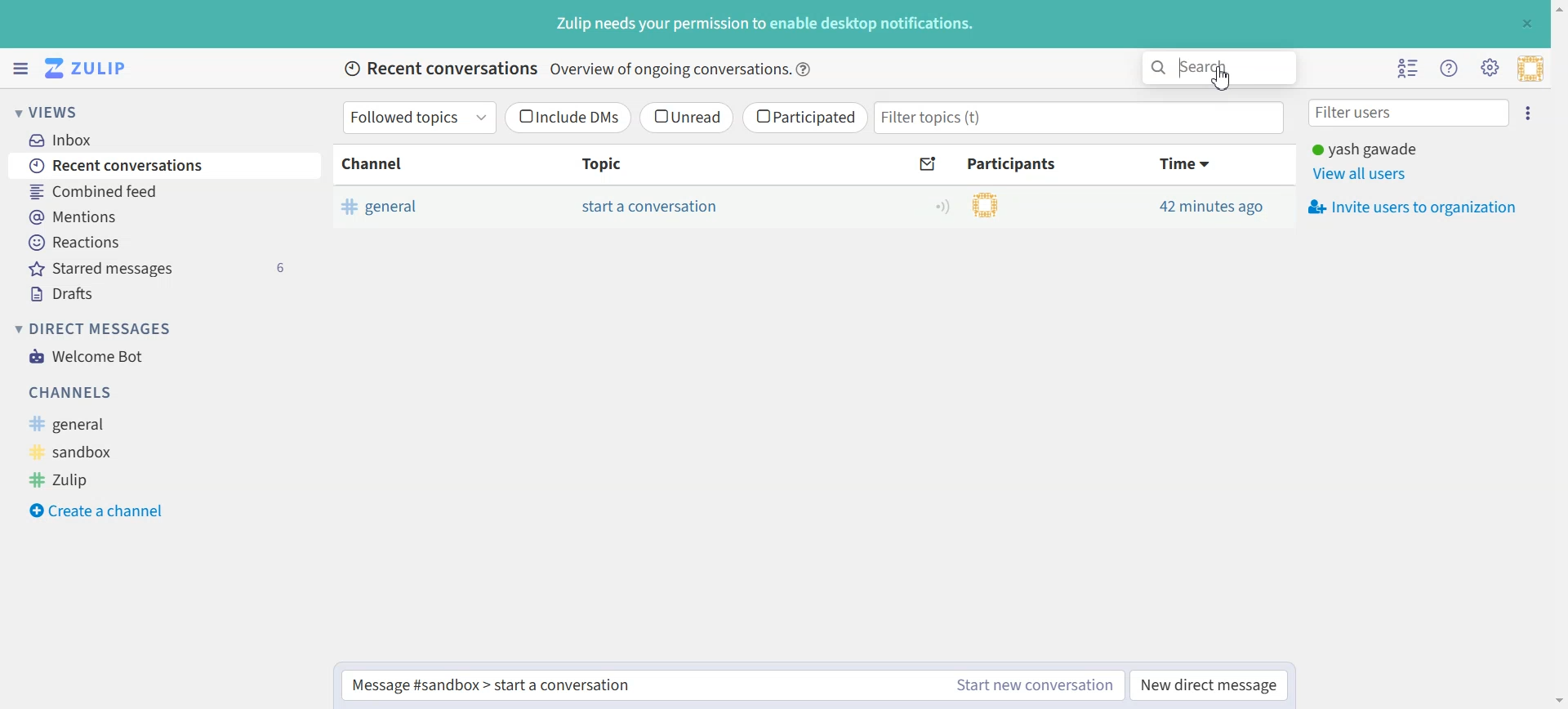  Describe the element at coordinates (87, 479) in the screenshot. I see `Zulip` at that location.